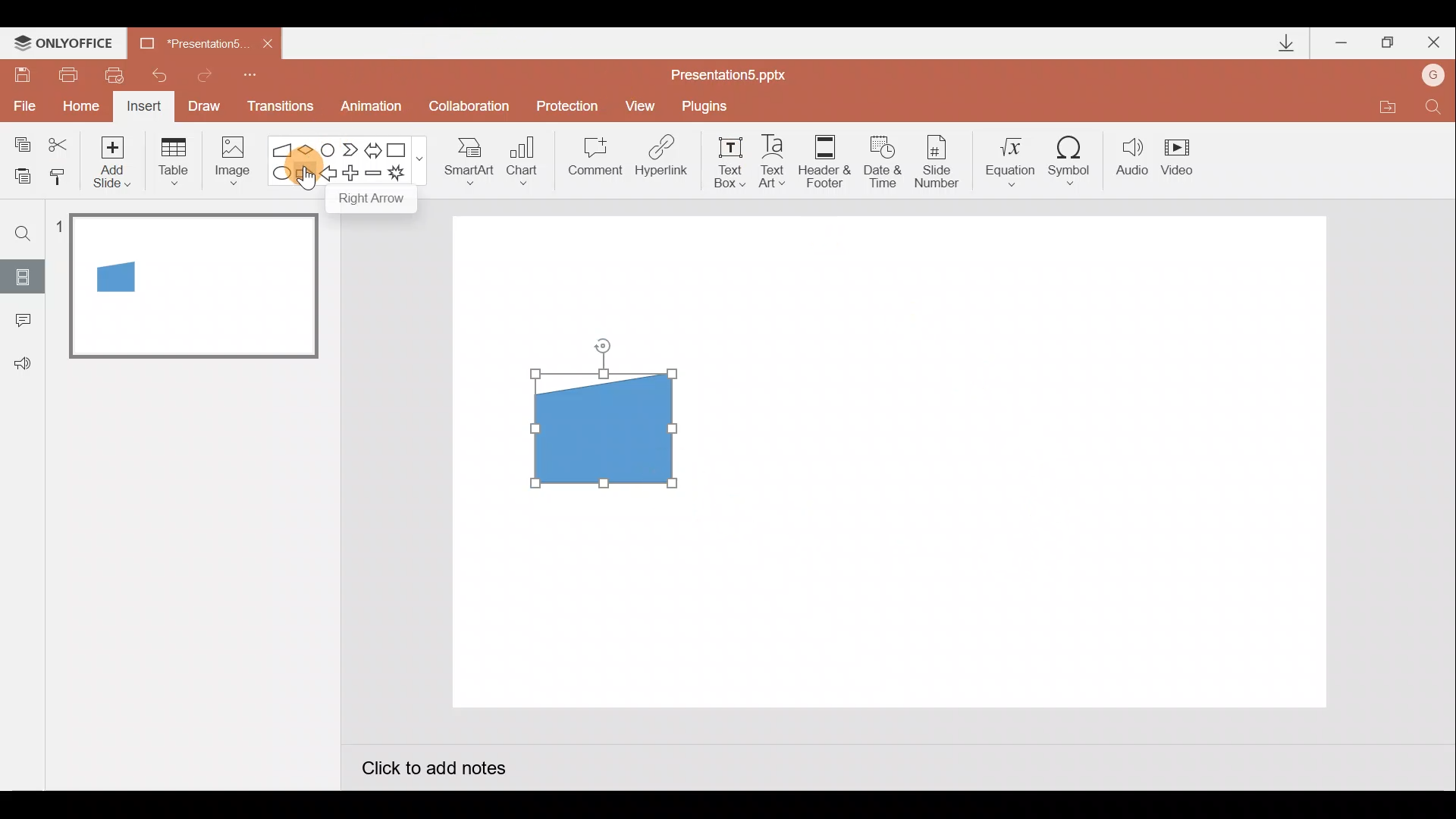 This screenshot has height=819, width=1456. What do you see at coordinates (61, 142) in the screenshot?
I see `Cut` at bounding box center [61, 142].